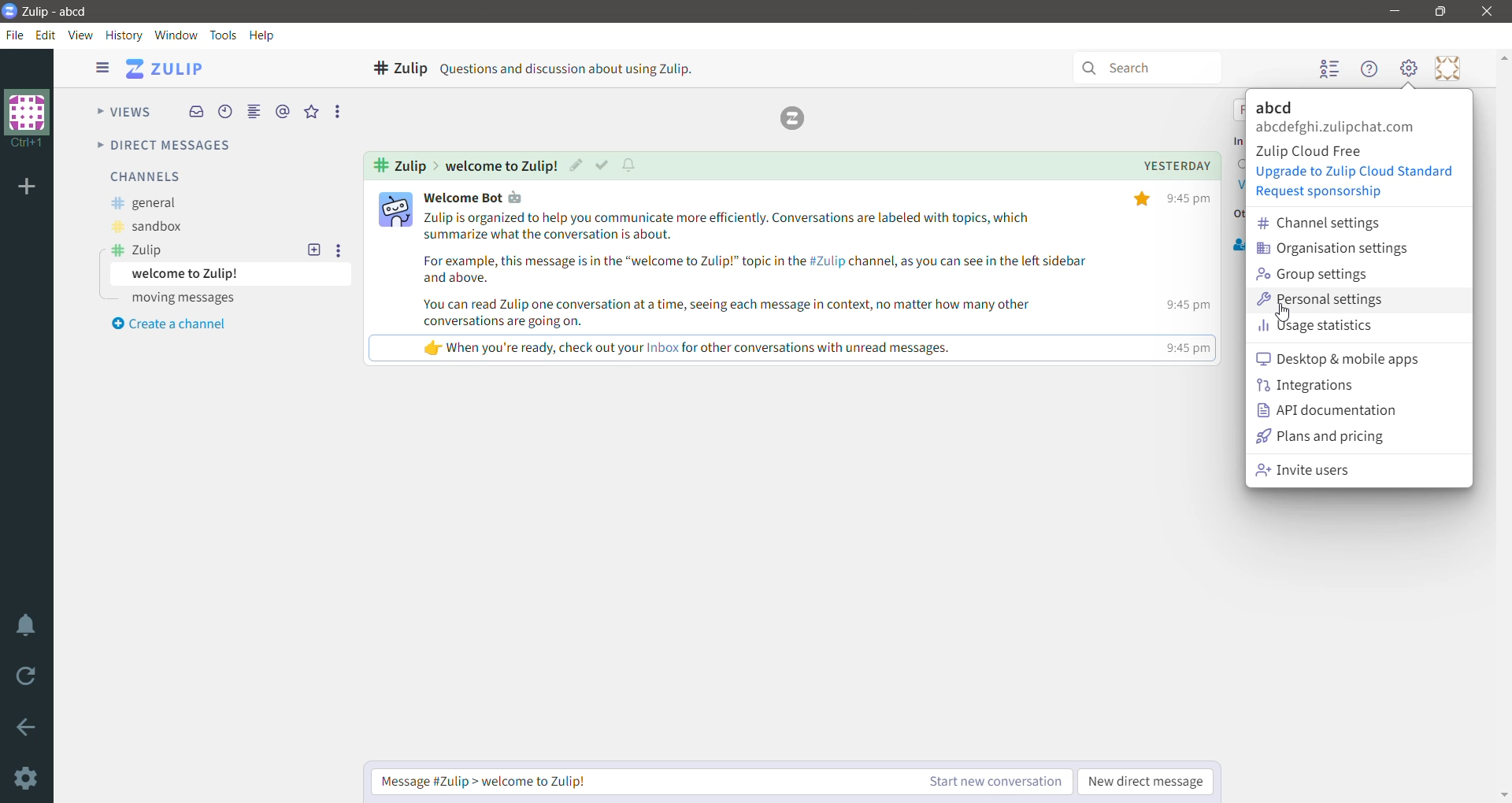 This screenshot has width=1512, height=803. I want to click on Starred messages, so click(310, 111).